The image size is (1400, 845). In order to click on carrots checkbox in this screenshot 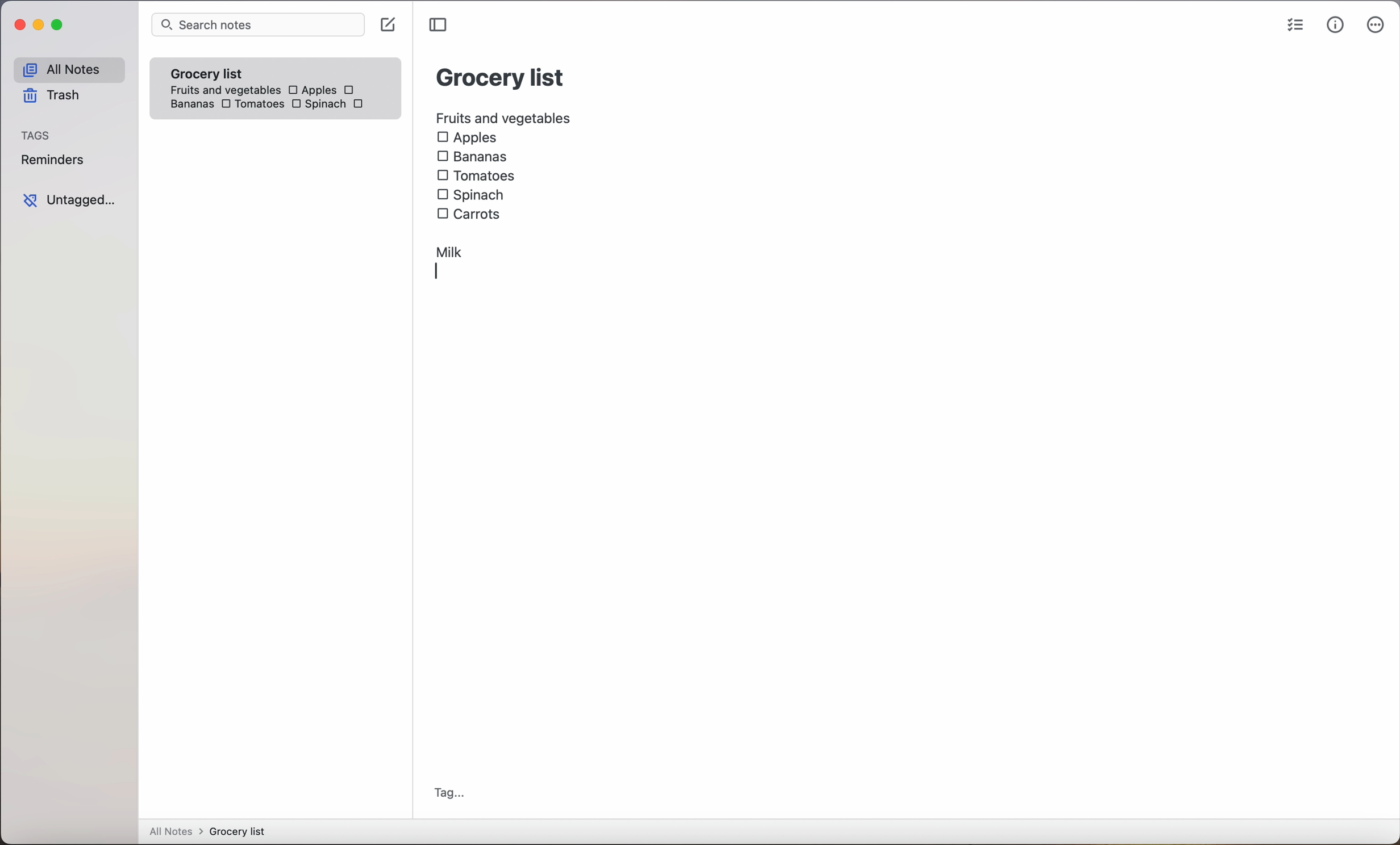, I will do `click(472, 212)`.